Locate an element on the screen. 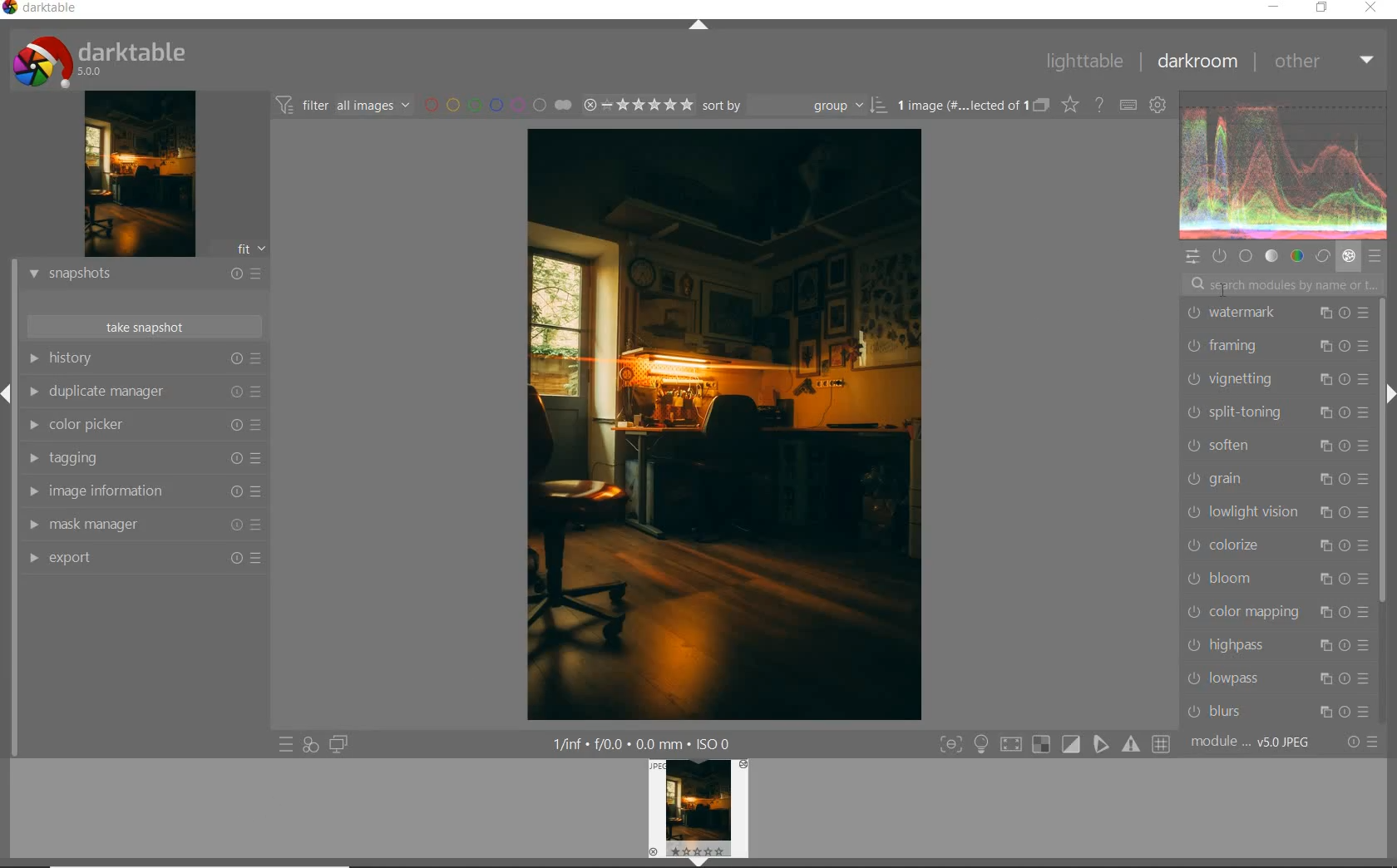 Image resolution: width=1397 pixels, height=868 pixels. display a second darkroom image below is located at coordinates (338, 742).